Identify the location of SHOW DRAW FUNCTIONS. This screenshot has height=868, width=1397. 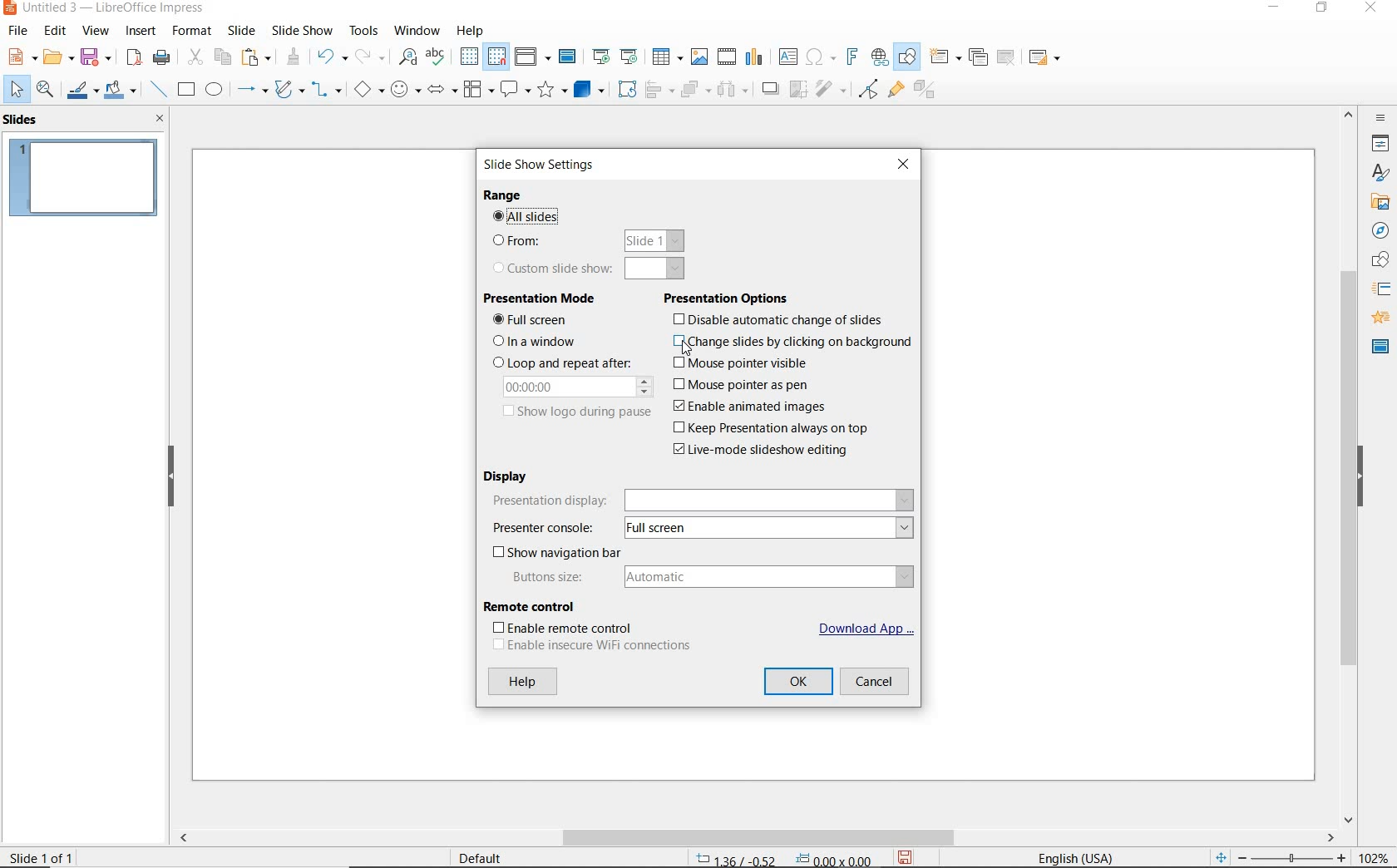
(908, 55).